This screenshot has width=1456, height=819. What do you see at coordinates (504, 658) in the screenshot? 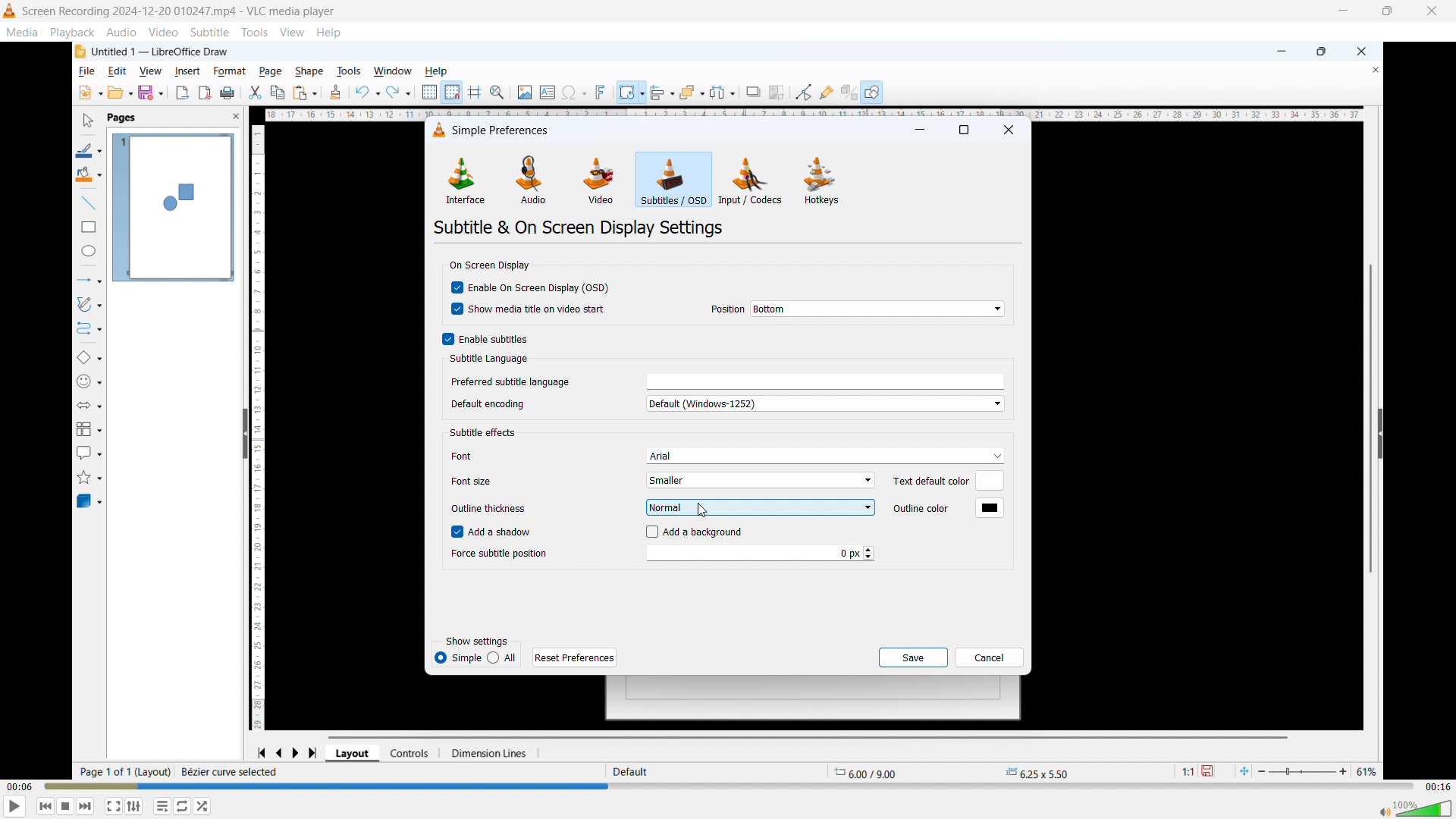
I see `All` at bounding box center [504, 658].